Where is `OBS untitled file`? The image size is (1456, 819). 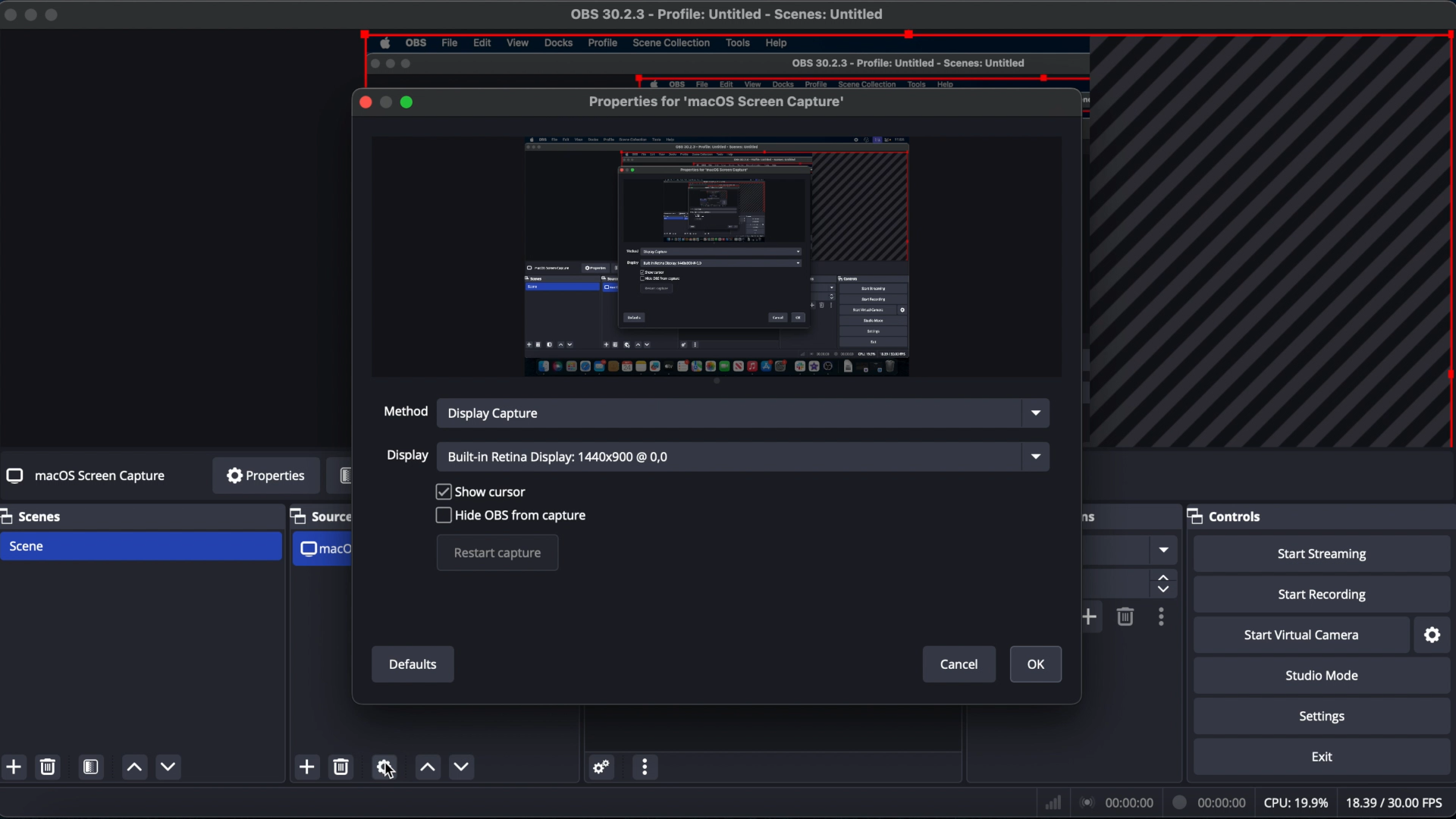
OBS untitled file is located at coordinates (726, 14).